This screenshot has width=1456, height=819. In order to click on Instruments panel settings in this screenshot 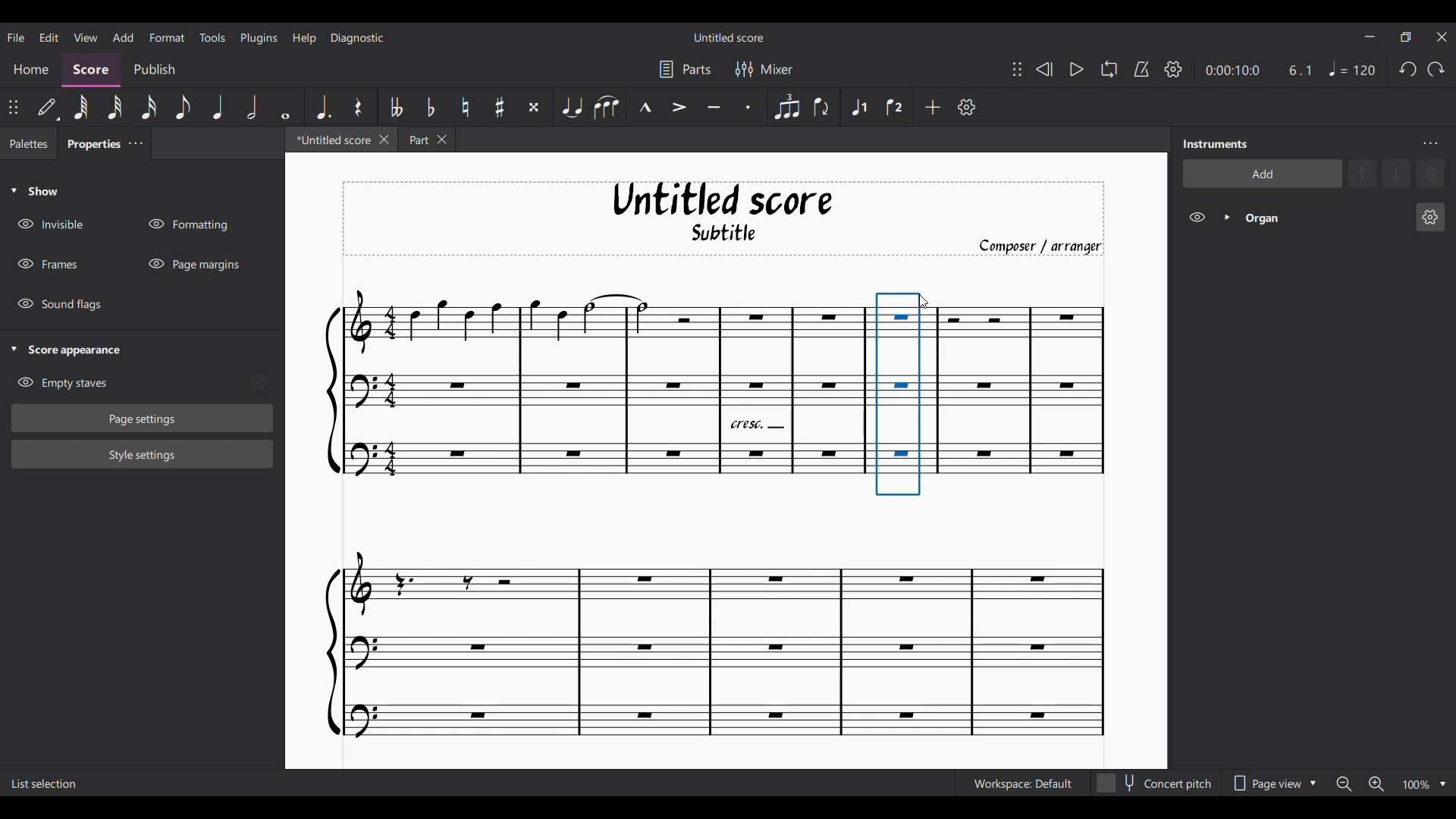, I will do `click(1430, 143)`.